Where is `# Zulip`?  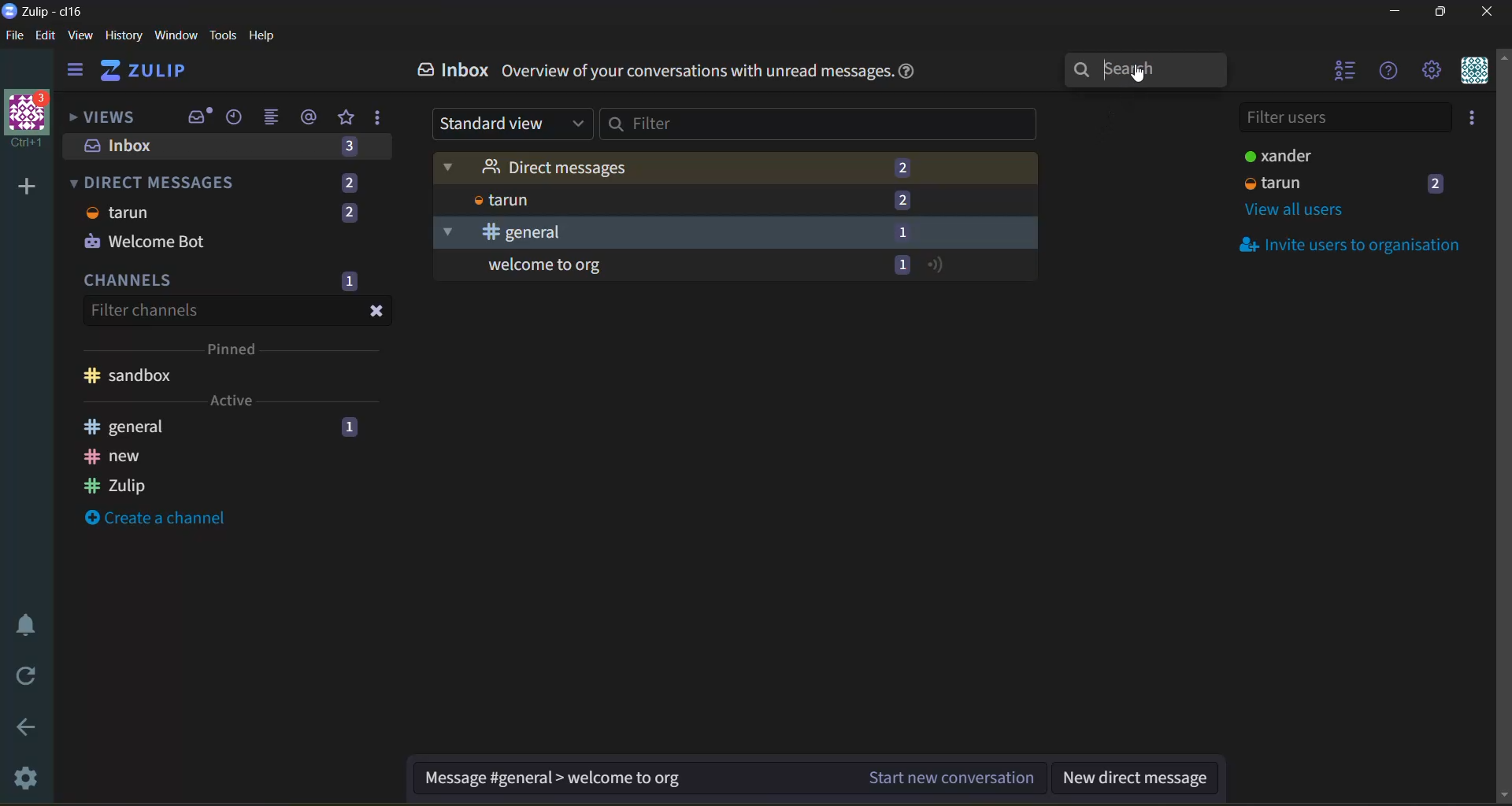 # Zulip is located at coordinates (113, 486).